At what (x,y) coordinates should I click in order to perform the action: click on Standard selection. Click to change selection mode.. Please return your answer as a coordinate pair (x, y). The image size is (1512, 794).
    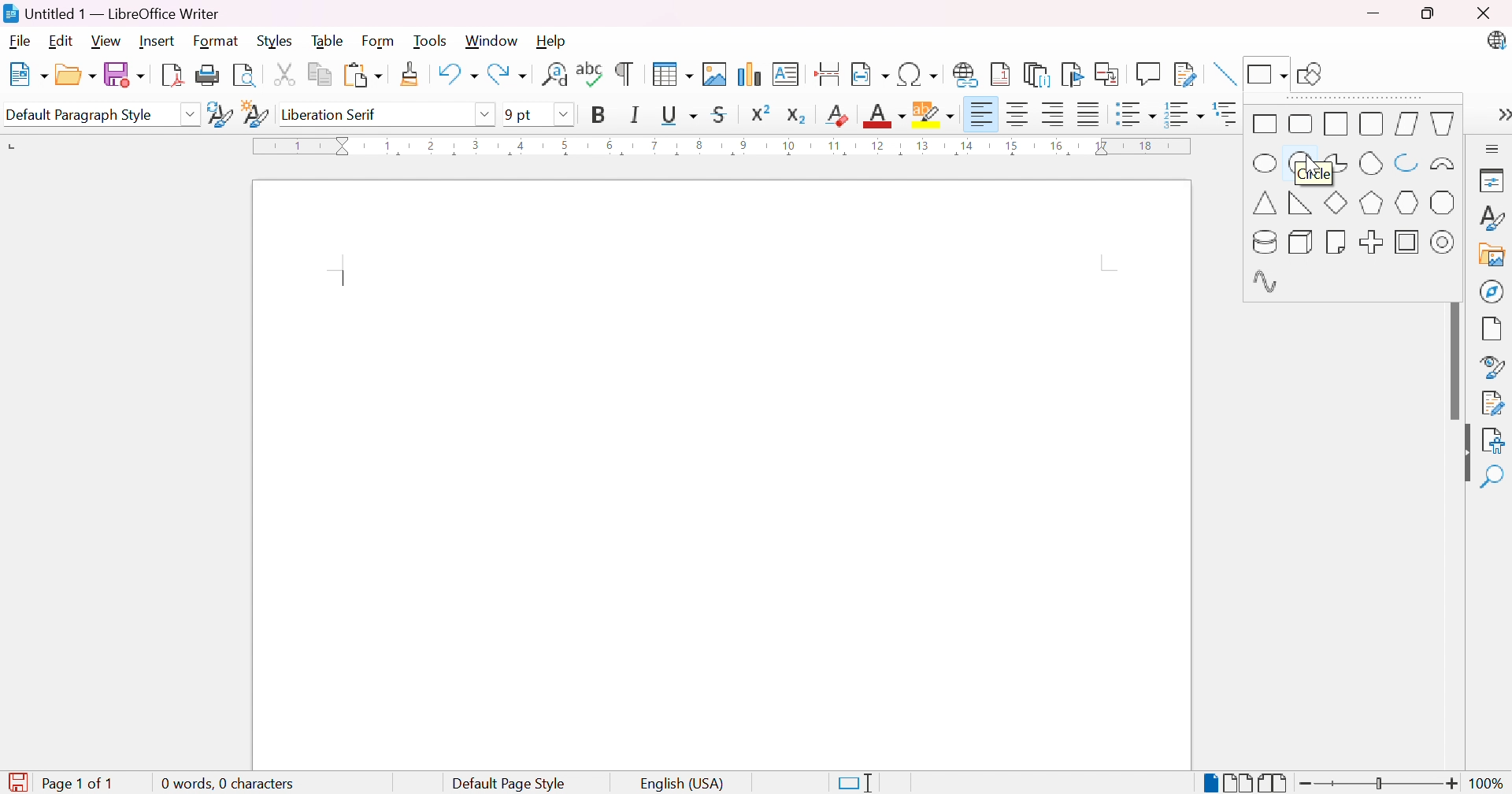
    Looking at the image, I should click on (855, 783).